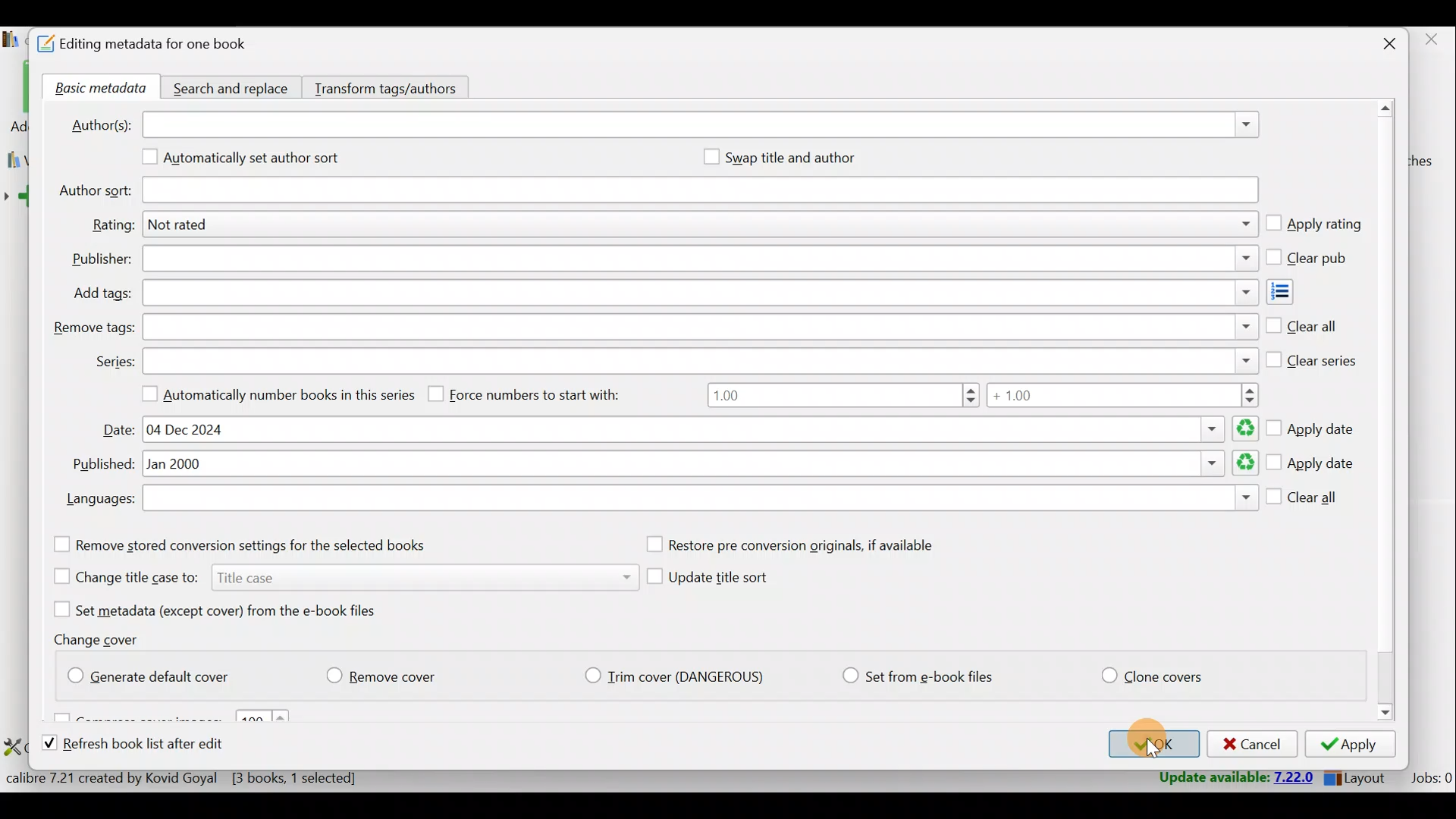 The image size is (1456, 819). I want to click on Remove tags:, so click(93, 328).